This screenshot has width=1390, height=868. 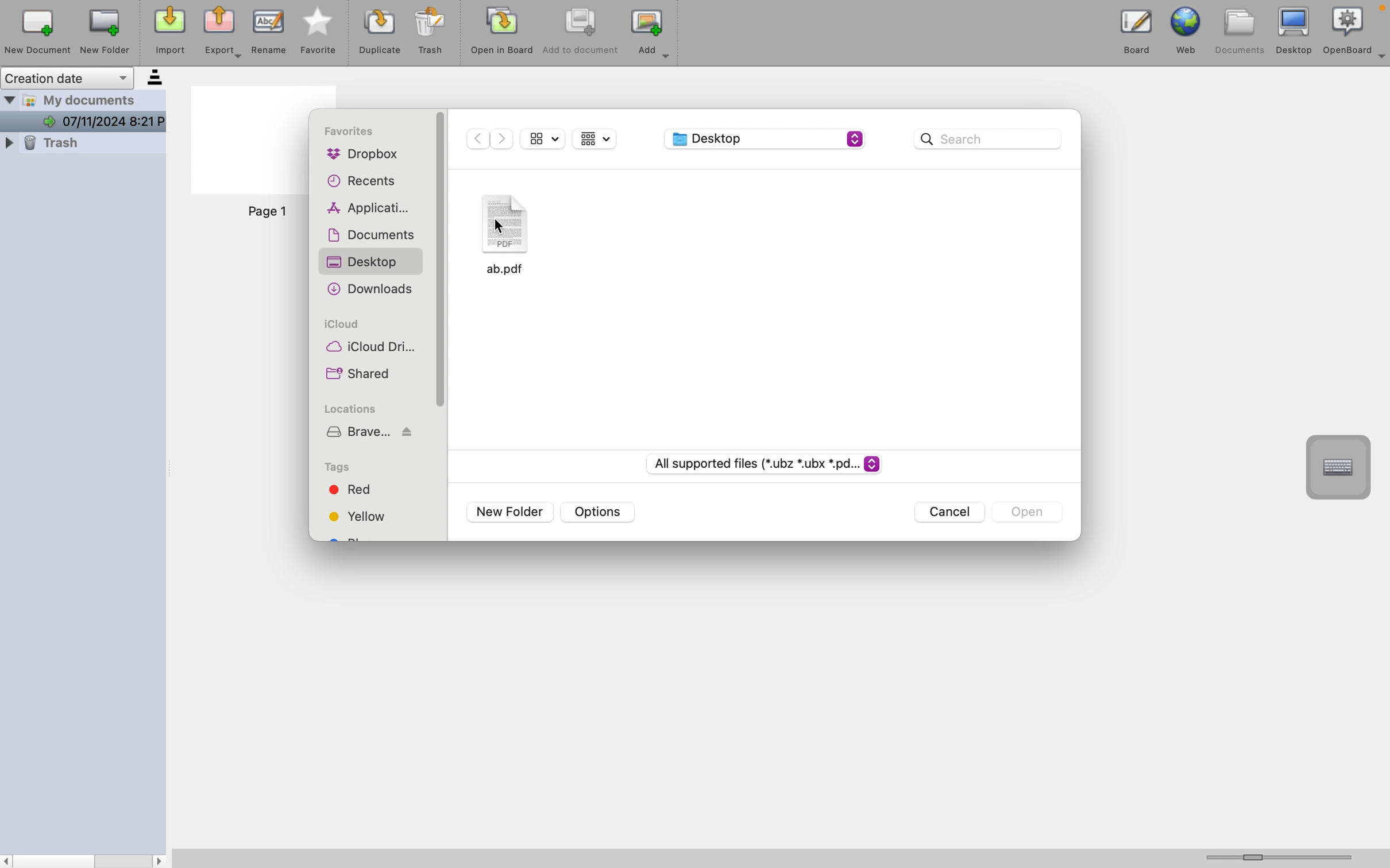 What do you see at coordinates (271, 32) in the screenshot?
I see `rename` at bounding box center [271, 32].